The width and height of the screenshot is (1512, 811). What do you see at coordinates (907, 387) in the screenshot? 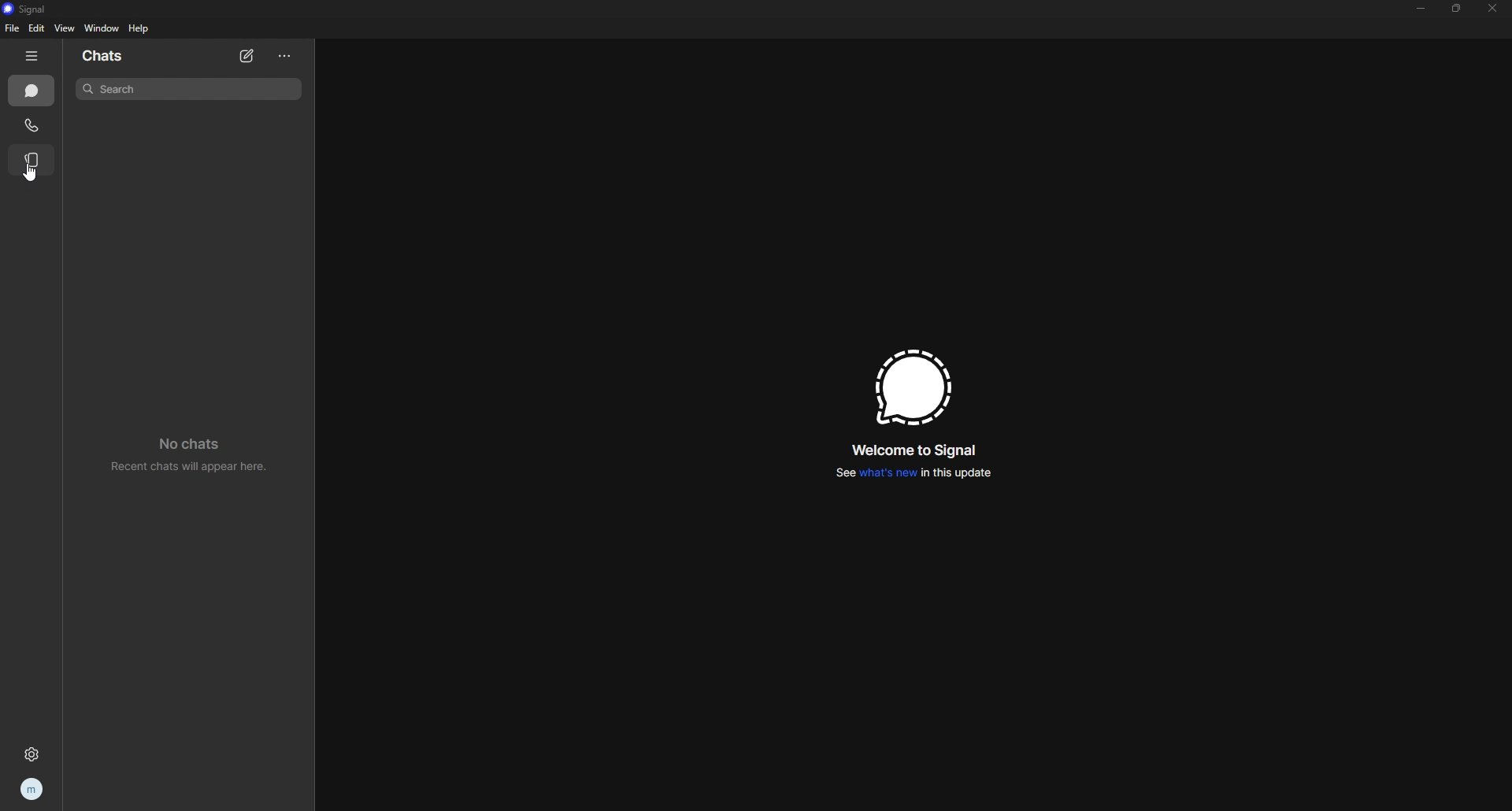
I see `signal logo` at bounding box center [907, 387].